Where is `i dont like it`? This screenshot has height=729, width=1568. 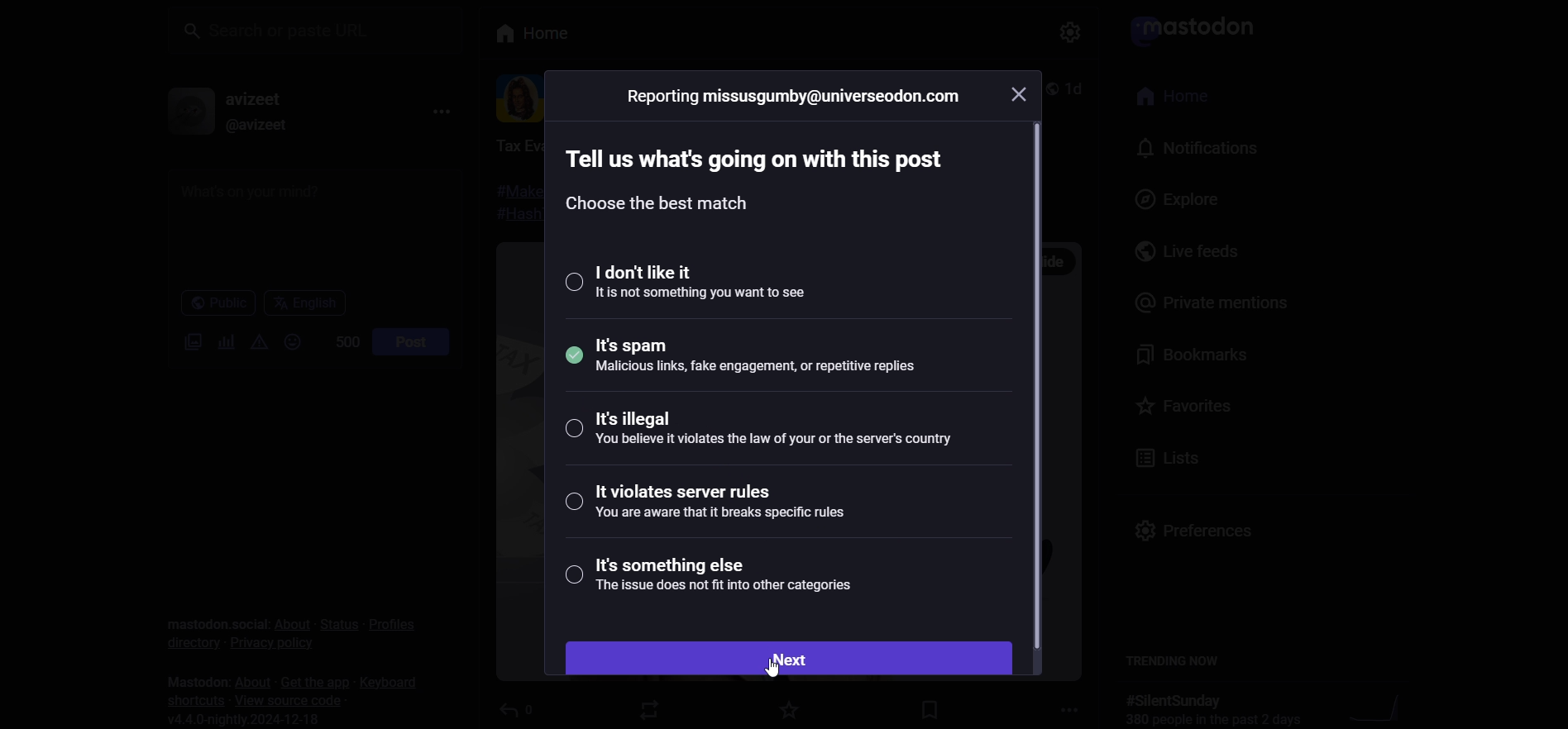 i dont like it is located at coordinates (703, 280).